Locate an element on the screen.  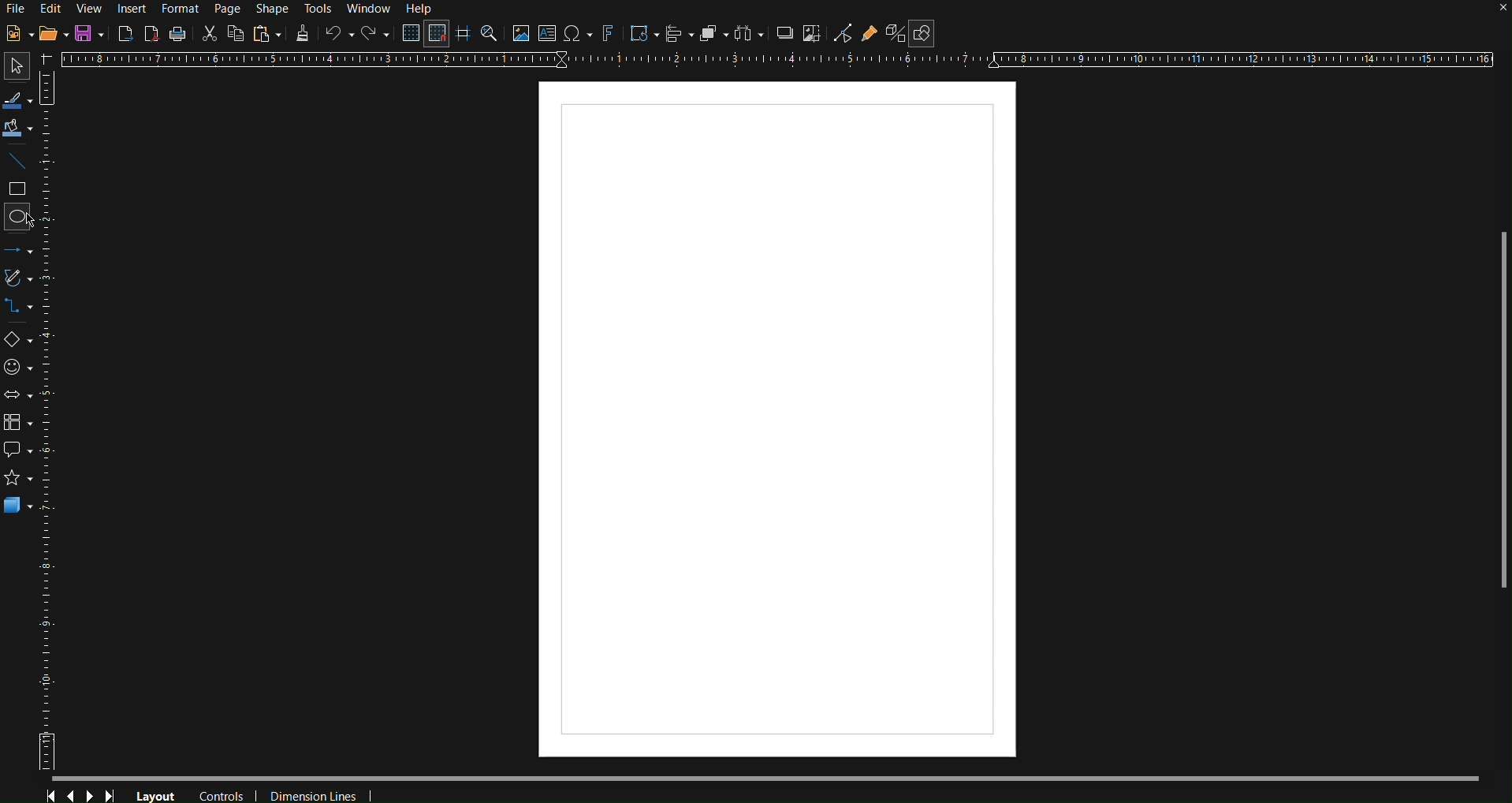
Ellipse is located at coordinates (20, 216).